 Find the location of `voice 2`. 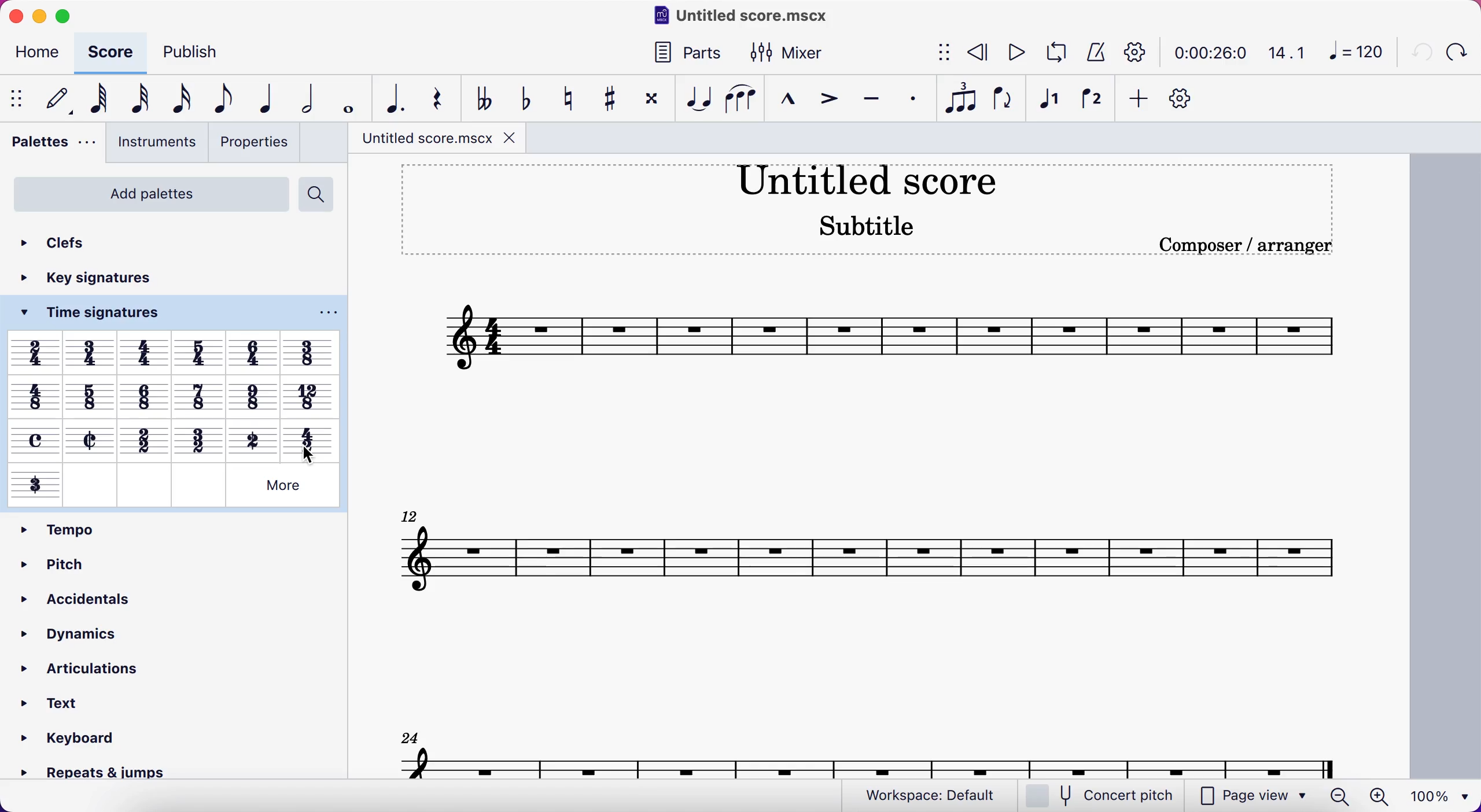

voice 2 is located at coordinates (1089, 98).